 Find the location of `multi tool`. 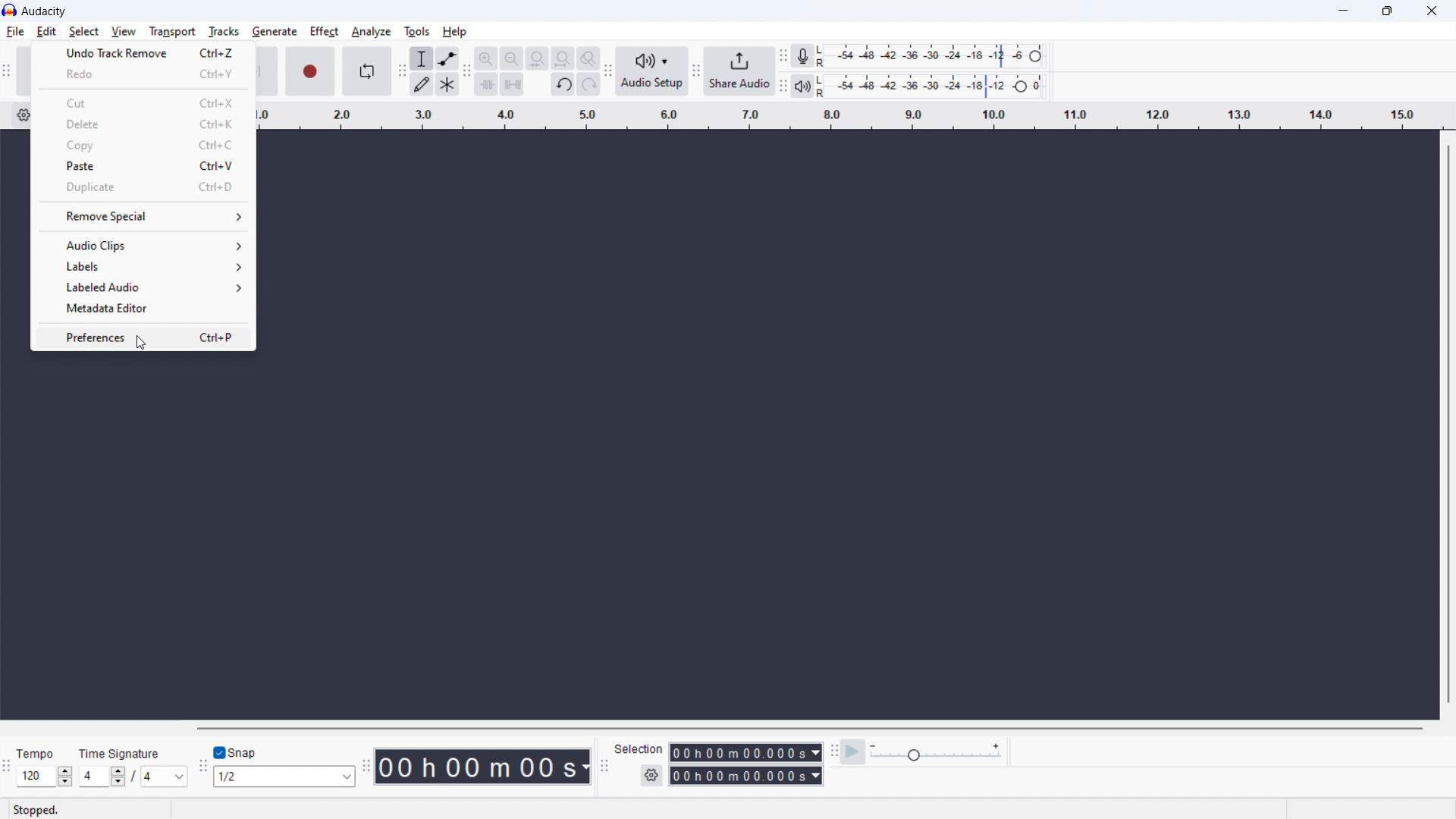

multi tool is located at coordinates (447, 84).